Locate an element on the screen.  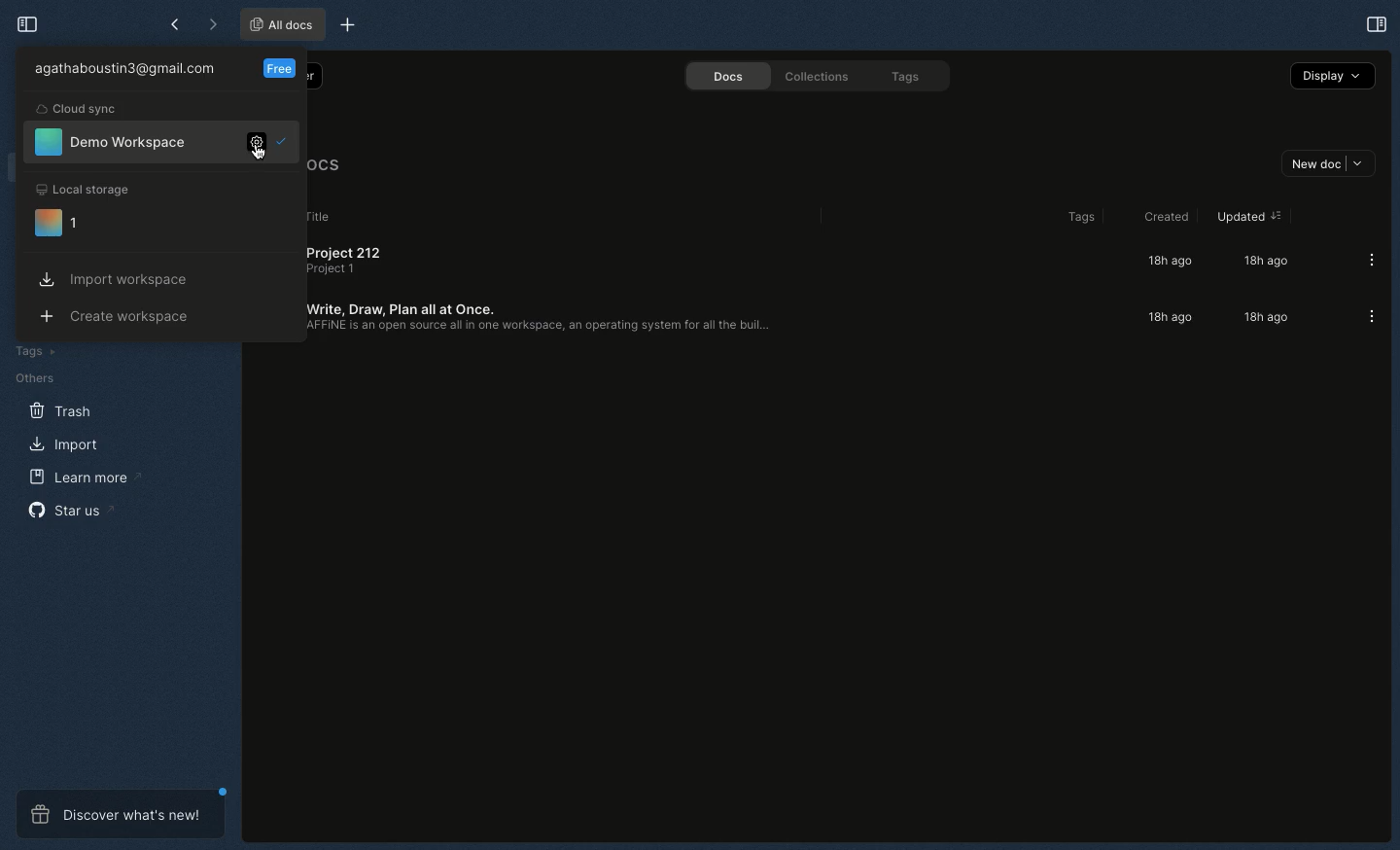
Docs is located at coordinates (725, 77).